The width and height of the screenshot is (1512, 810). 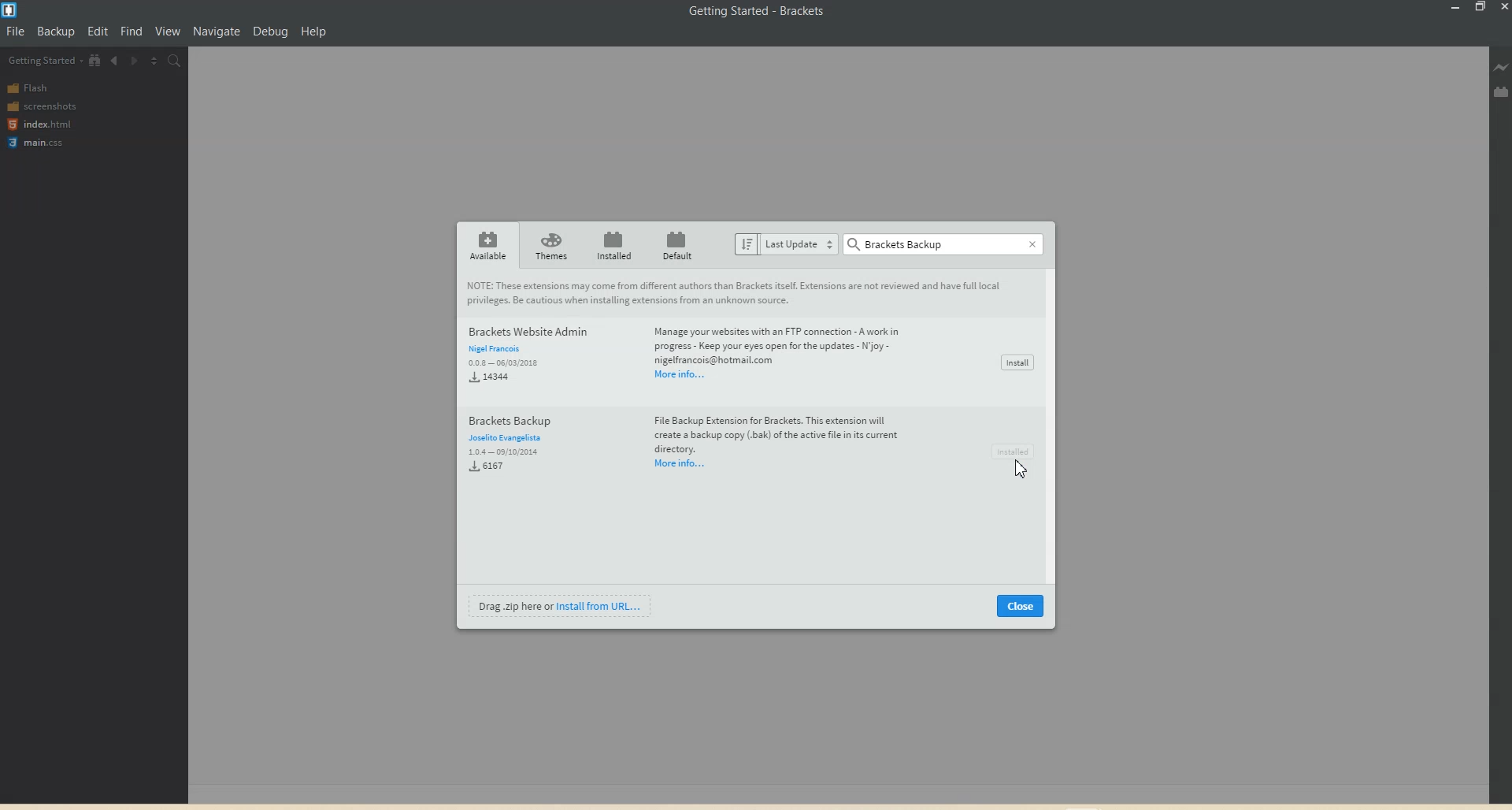 What do you see at coordinates (131, 28) in the screenshot?
I see `Find` at bounding box center [131, 28].